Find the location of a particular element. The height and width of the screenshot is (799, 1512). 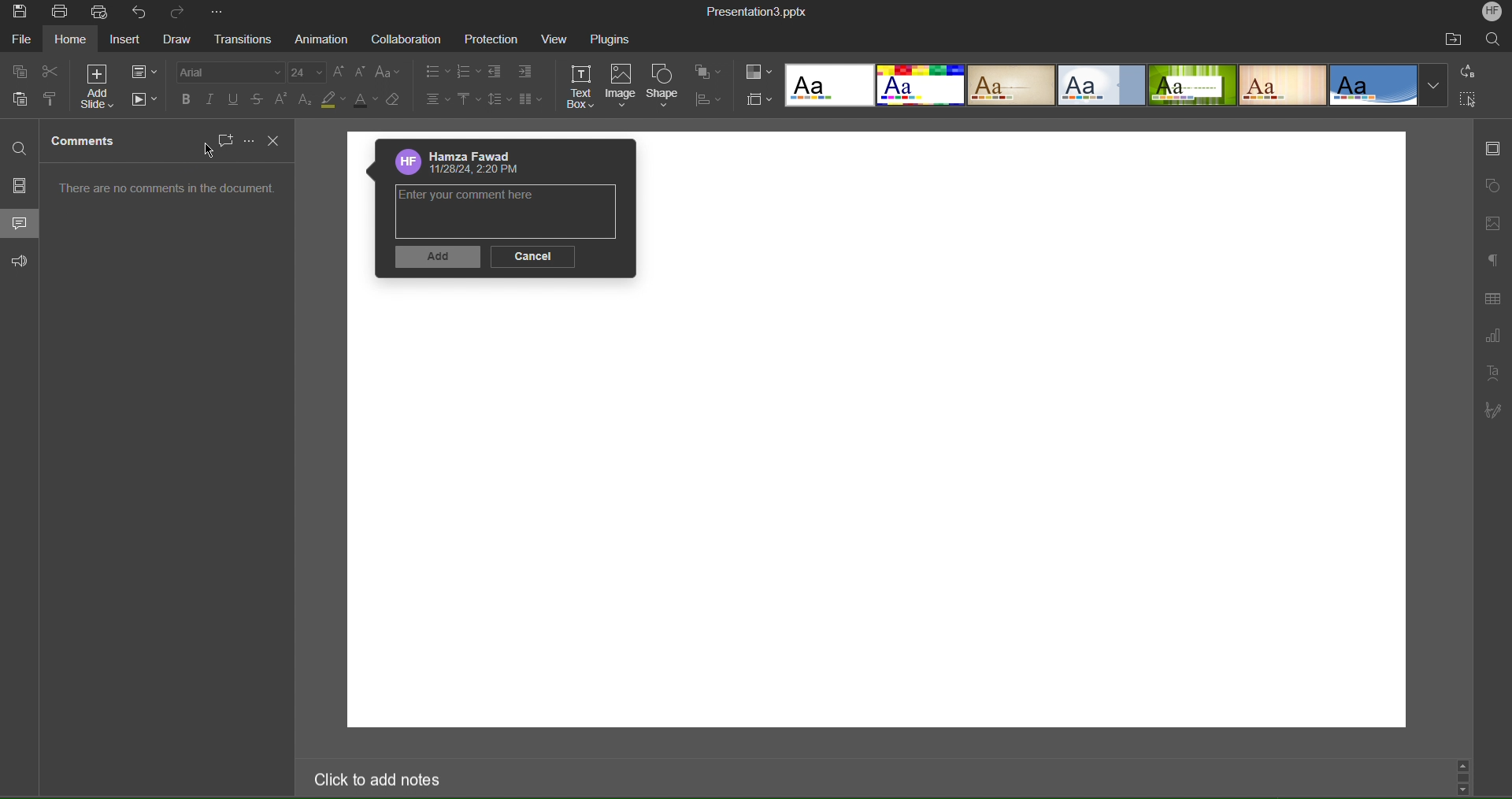

List Options is located at coordinates (470, 71).